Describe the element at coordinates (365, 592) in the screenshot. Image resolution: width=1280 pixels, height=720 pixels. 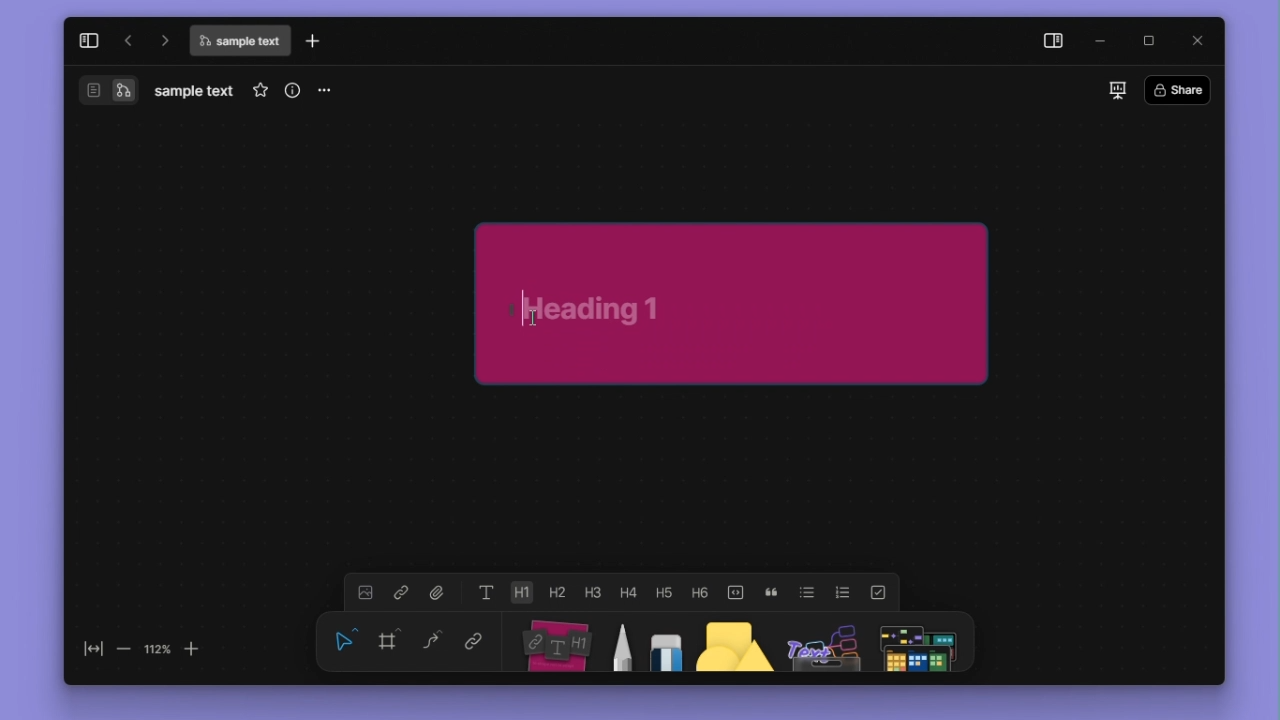
I see `image` at that location.